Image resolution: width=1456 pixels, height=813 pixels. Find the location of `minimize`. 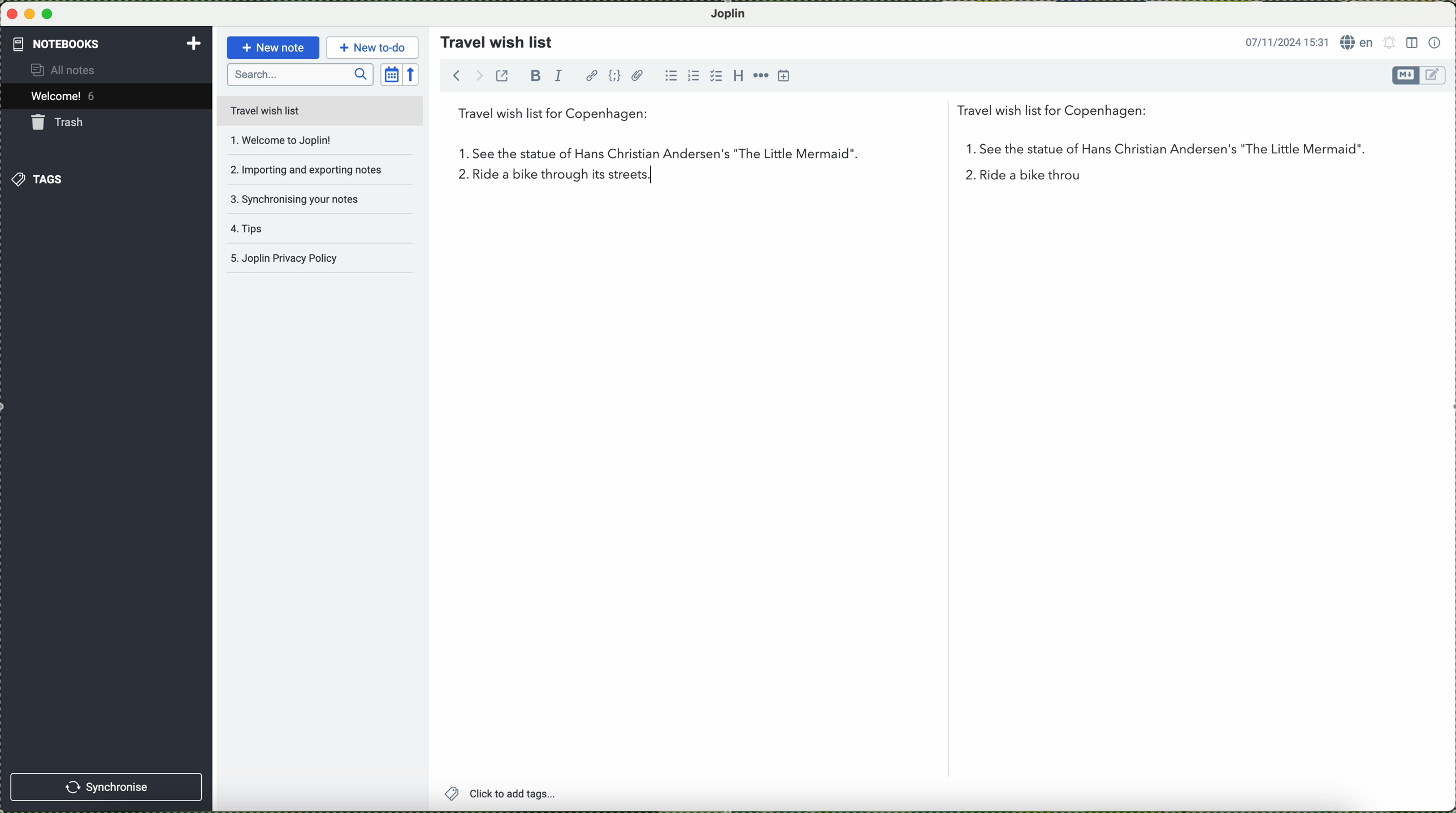

minimize is located at coordinates (31, 14).